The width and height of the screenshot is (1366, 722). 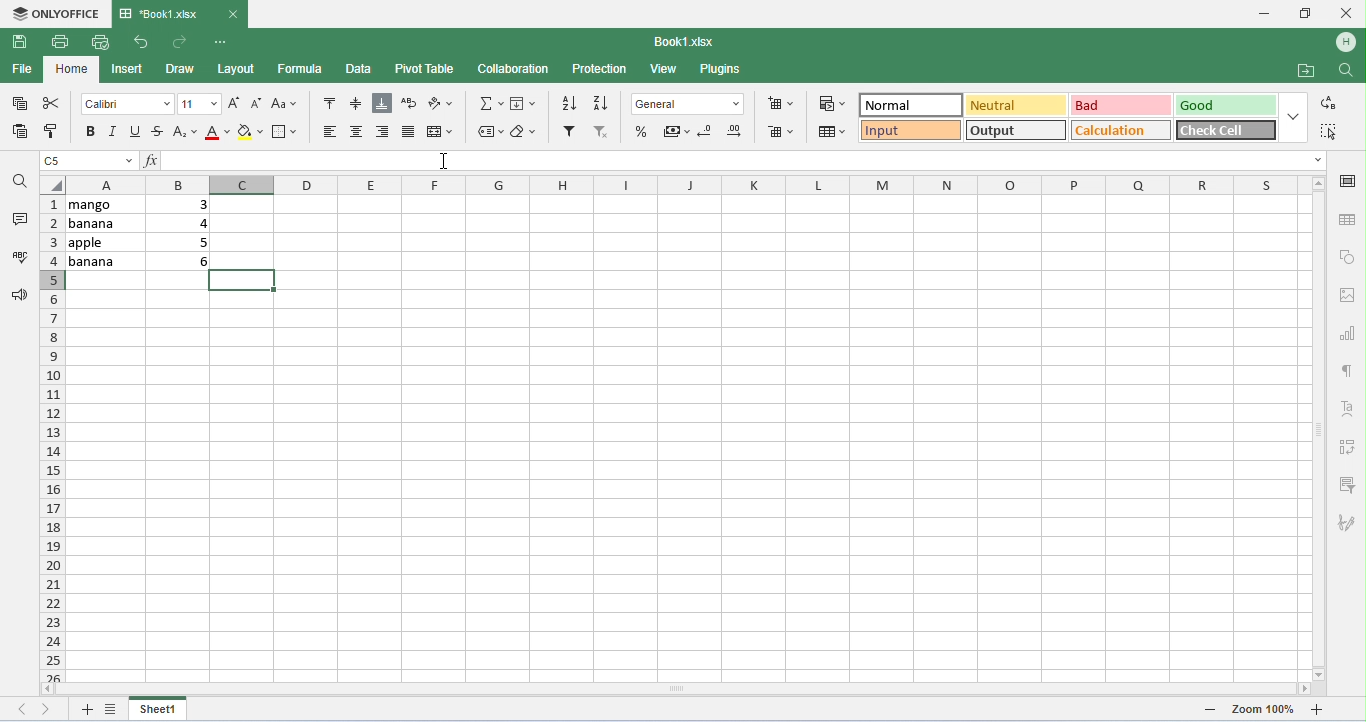 What do you see at coordinates (643, 132) in the screenshot?
I see `percent style` at bounding box center [643, 132].